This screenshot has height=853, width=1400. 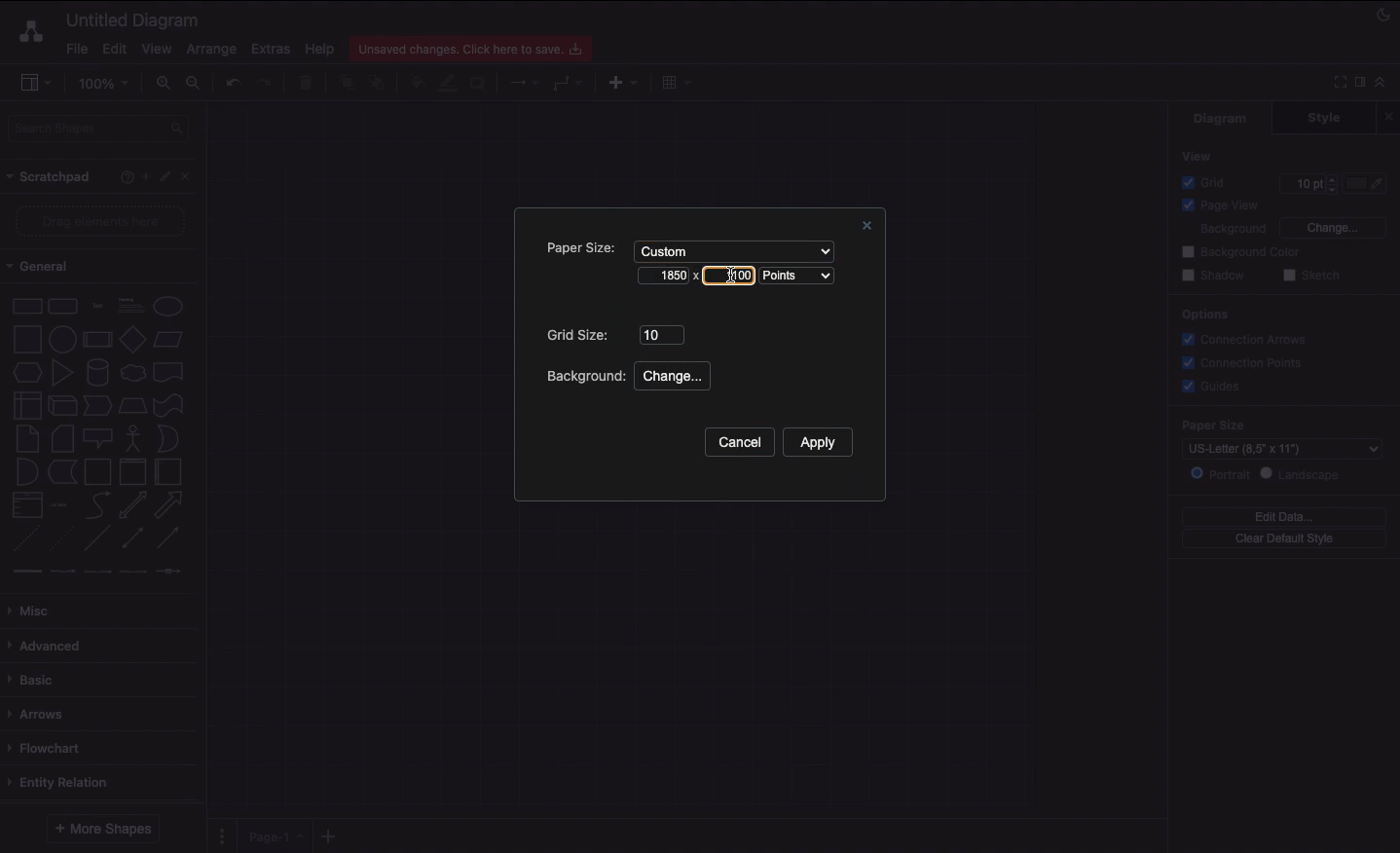 I want to click on Step, so click(x=97, y=406).